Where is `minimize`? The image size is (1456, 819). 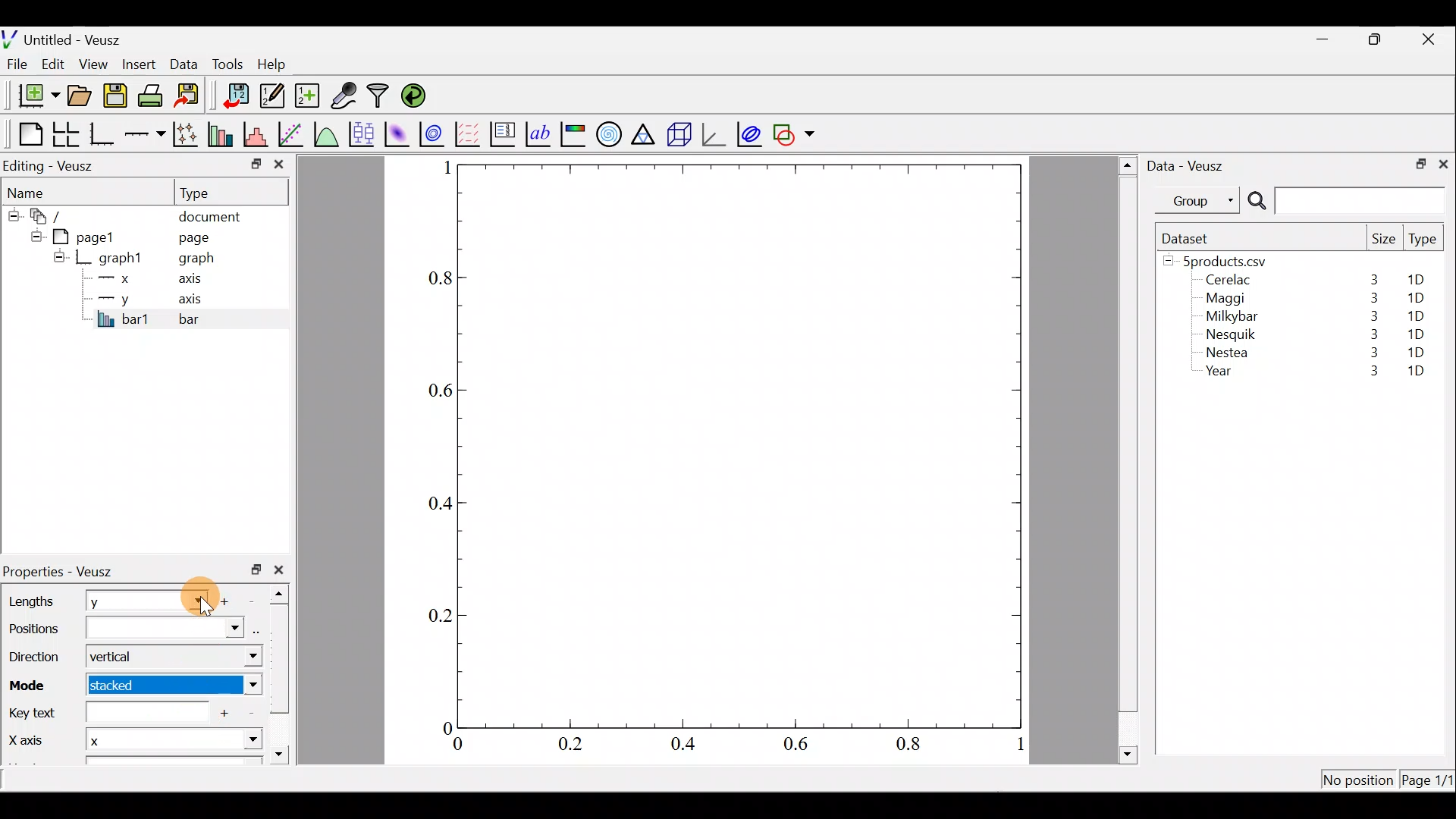 minimize is located at coordinates (1330, 38).